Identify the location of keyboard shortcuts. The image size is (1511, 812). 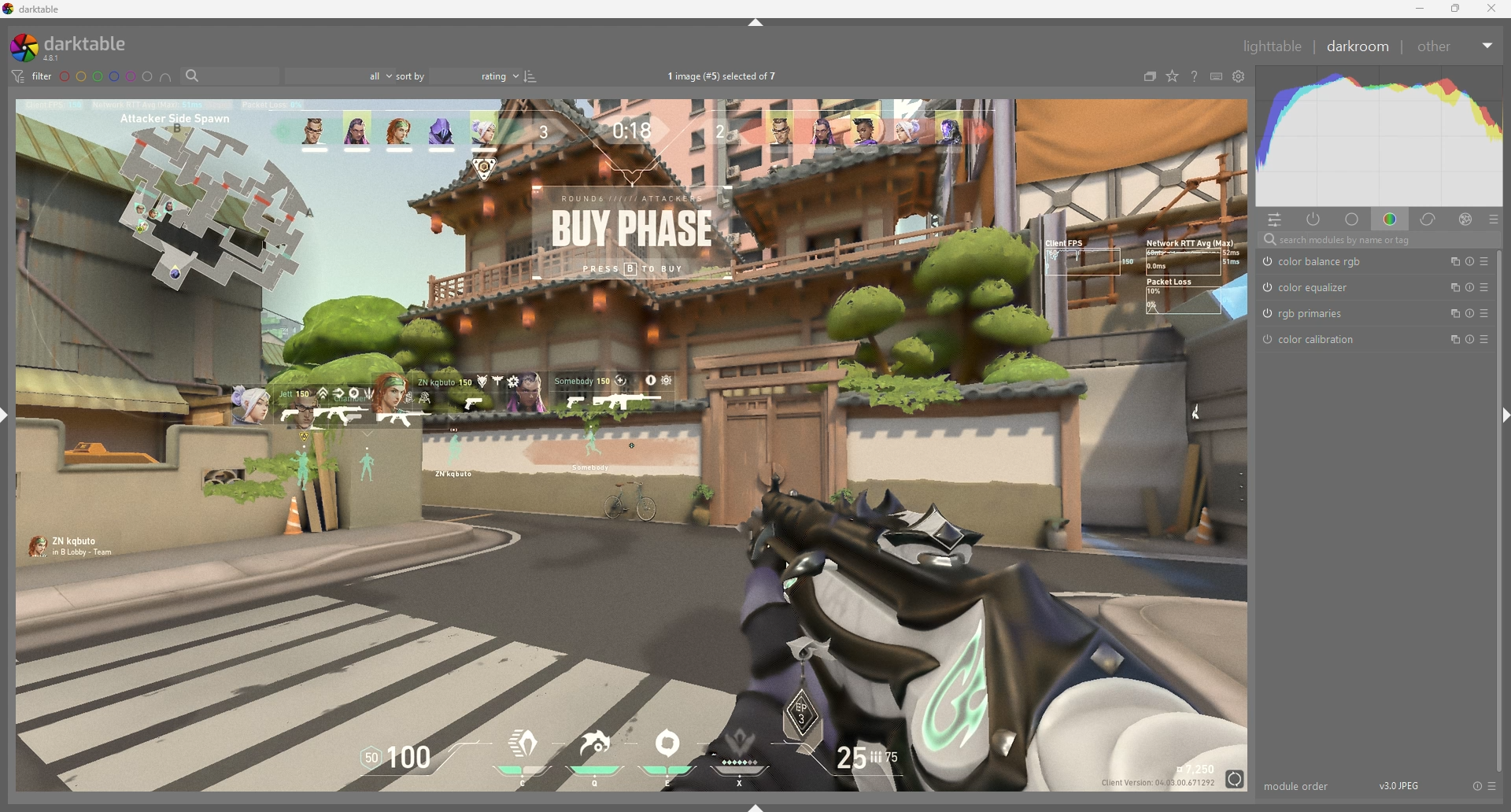
(1217, 76).